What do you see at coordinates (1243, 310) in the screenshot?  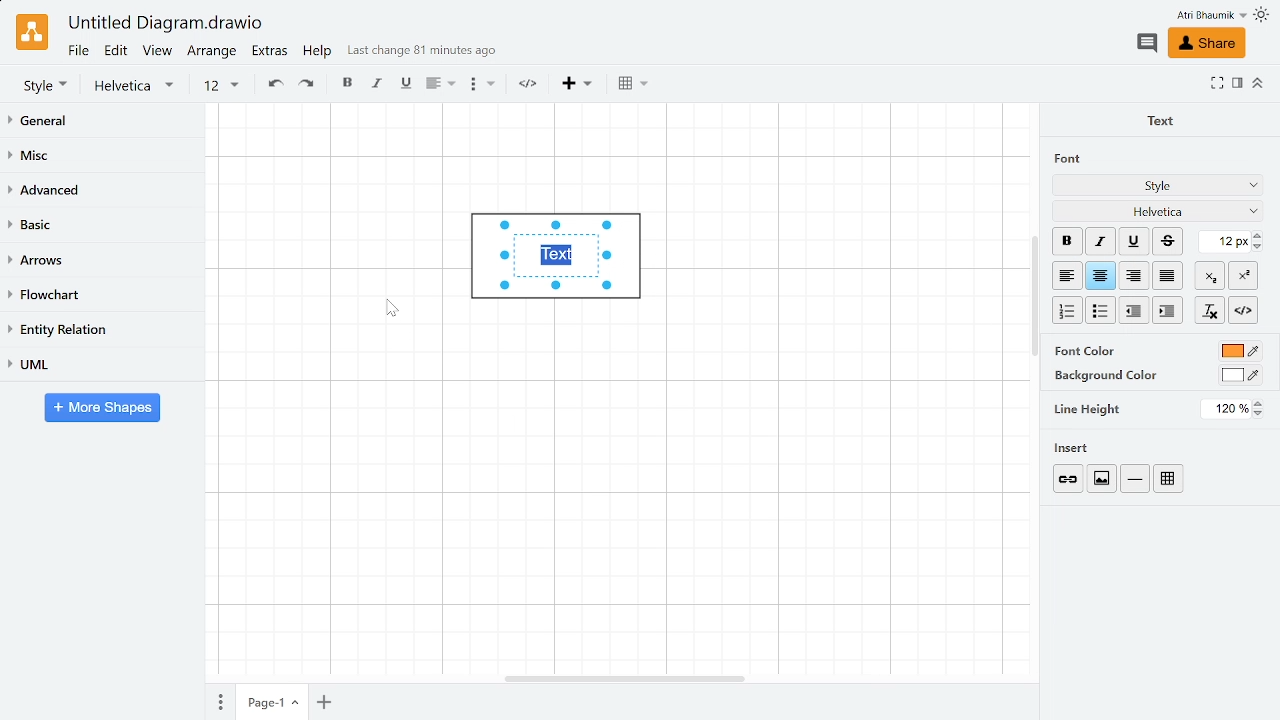 I see `HTML` at bounding box center [1243, 310].